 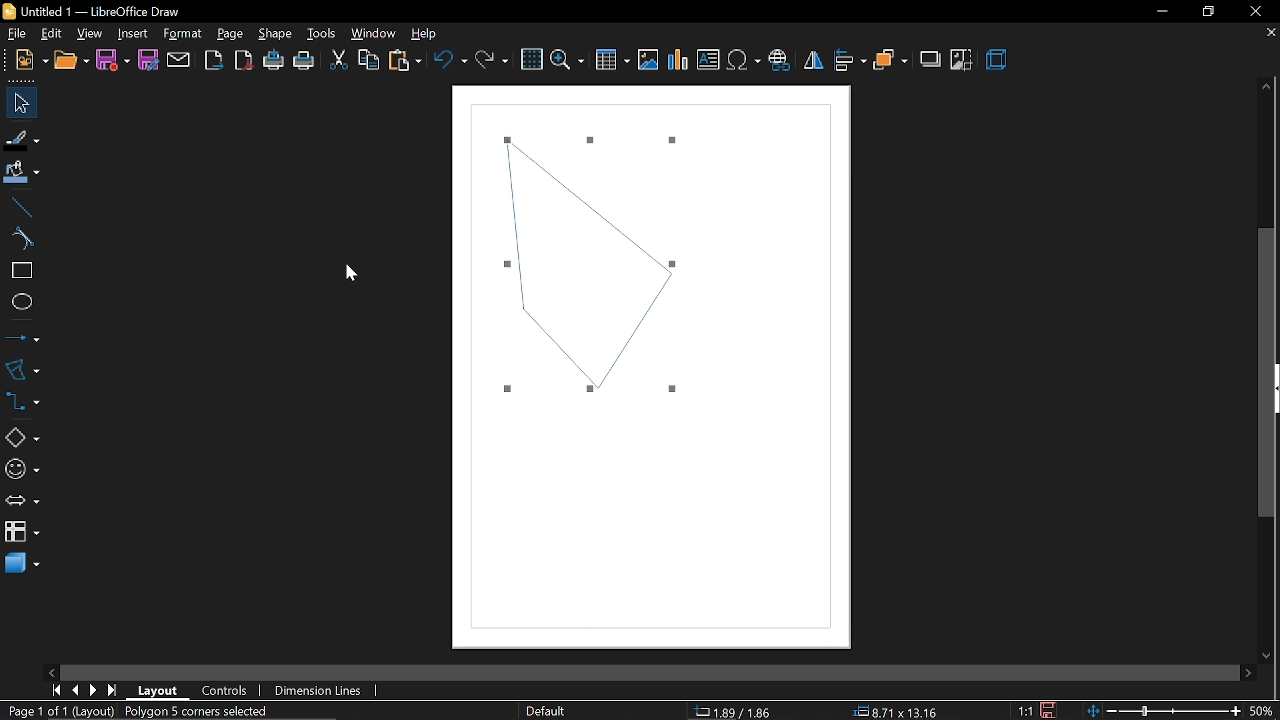 What do you see at coordinates (892, 708) in the screenshot?
I see `position 00X00` at bounding box center [892, 708].